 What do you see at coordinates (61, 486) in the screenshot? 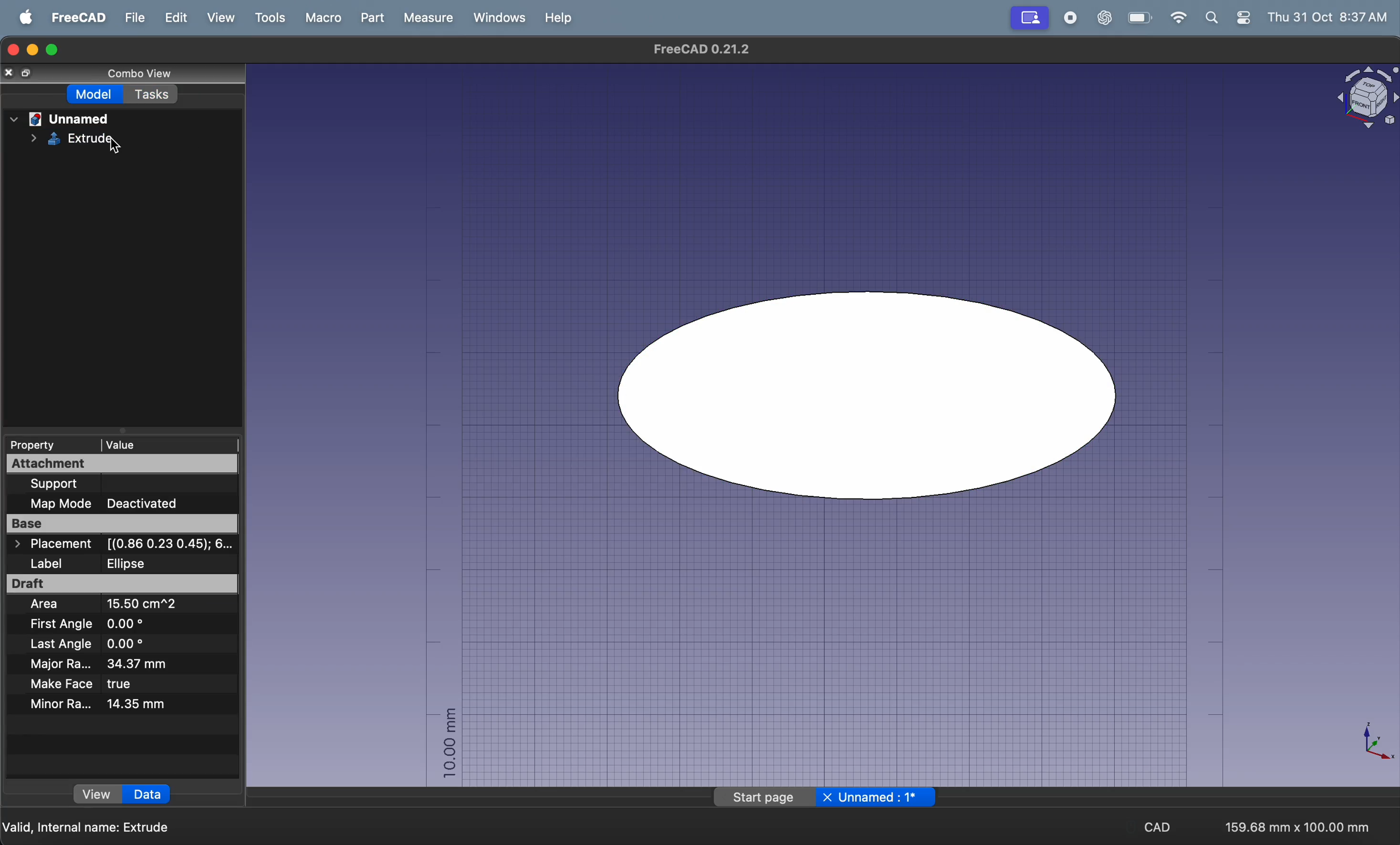
I see `Support` at bounding box center [61, 486].